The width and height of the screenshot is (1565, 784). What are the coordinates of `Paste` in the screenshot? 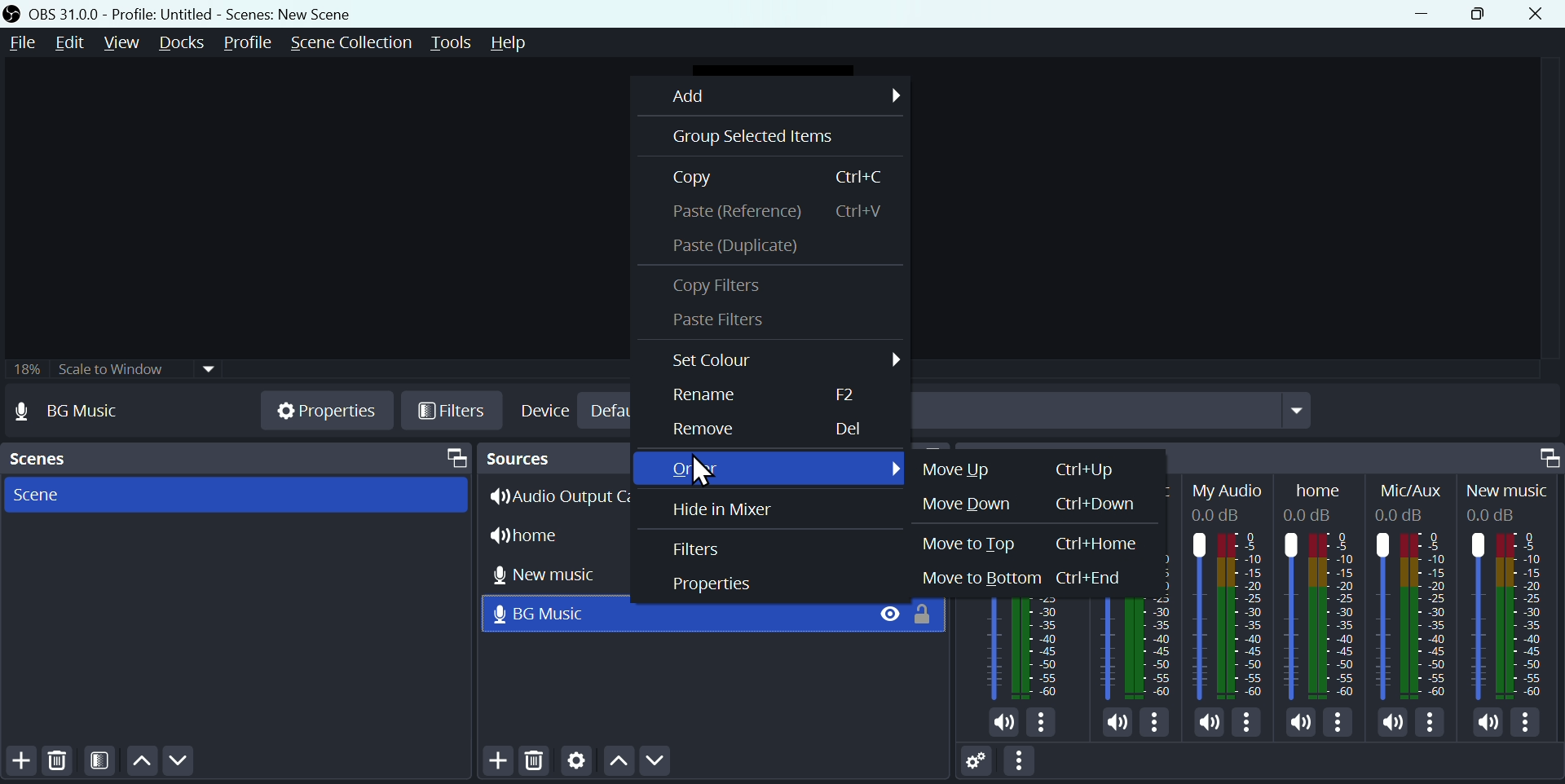 It's located at (774, 210).